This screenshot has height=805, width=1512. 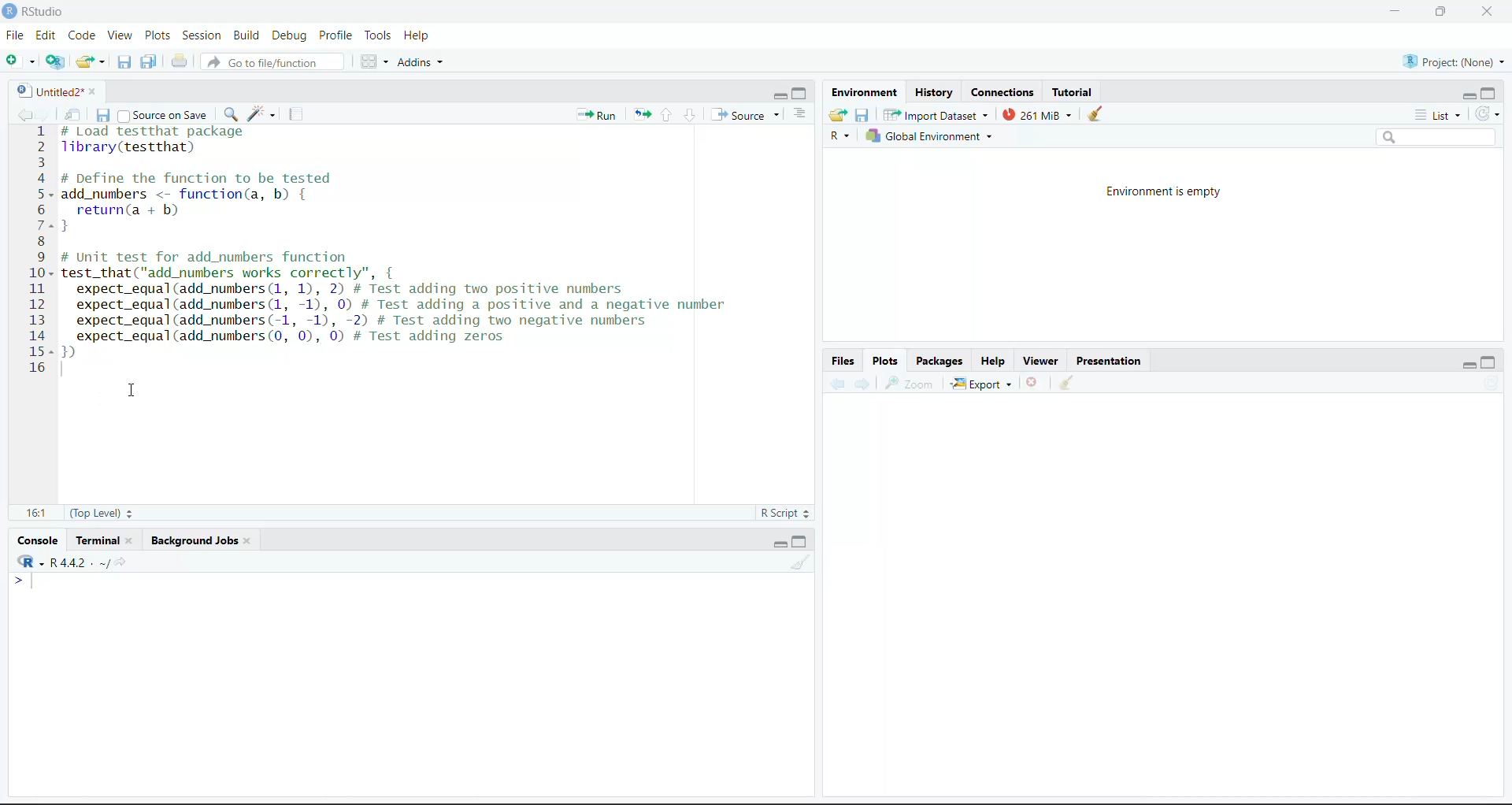 I want to click on Backward, so click(x=836, y=382).